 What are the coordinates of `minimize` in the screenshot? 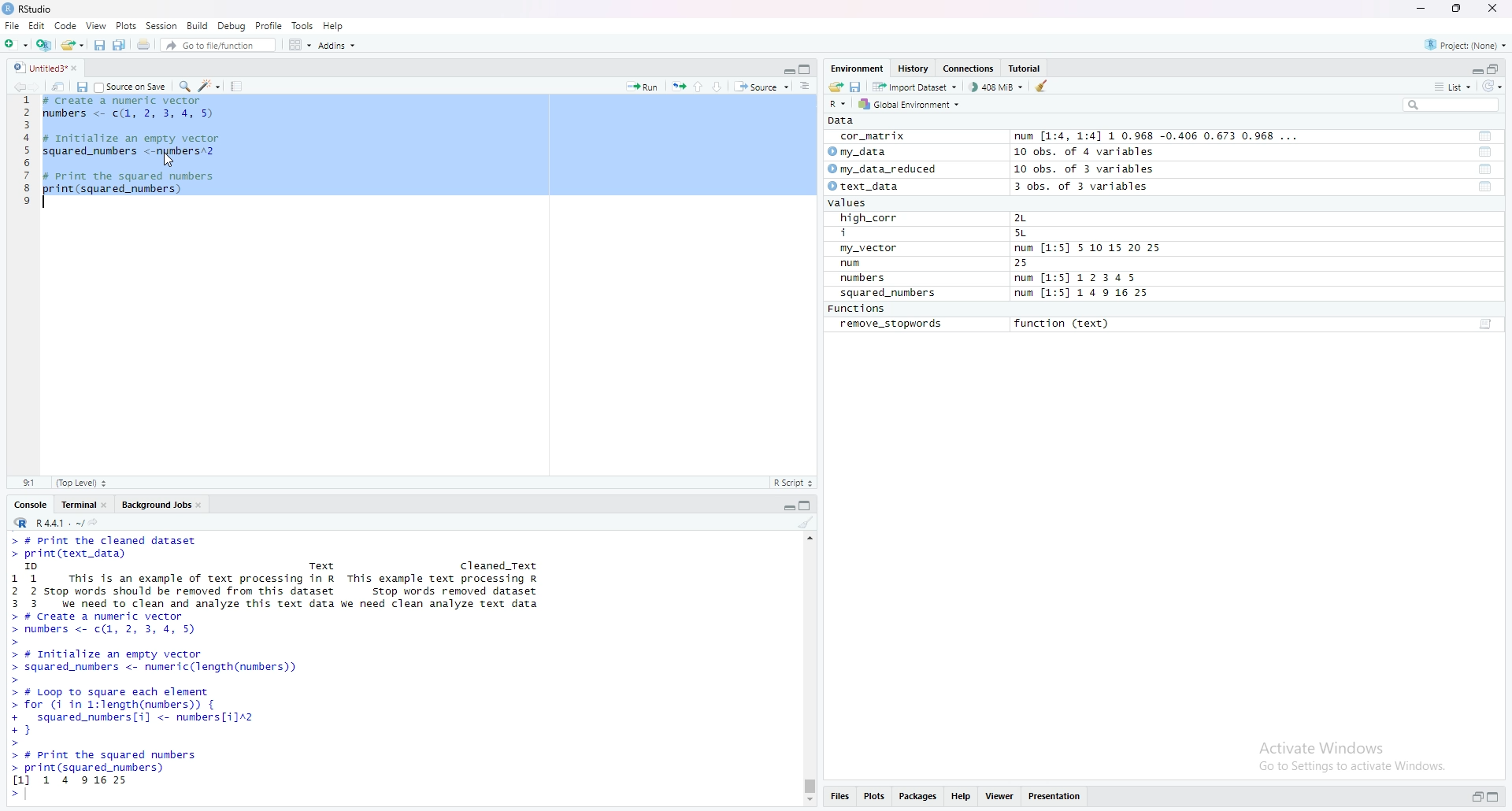 It's located at (1420, 9).